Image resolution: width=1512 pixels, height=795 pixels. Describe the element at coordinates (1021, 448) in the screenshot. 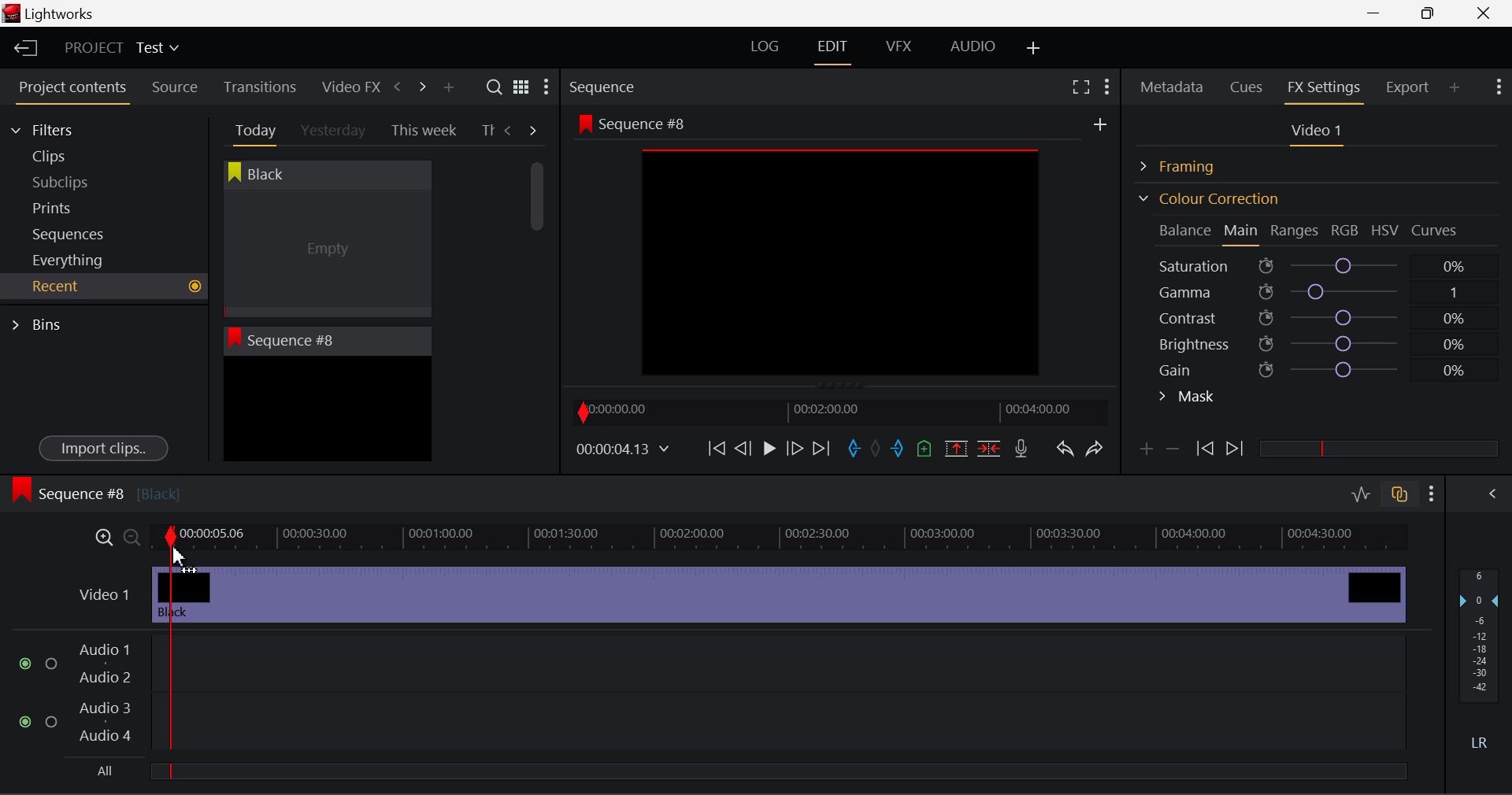

I see `Recrod Voiceover` at that location.